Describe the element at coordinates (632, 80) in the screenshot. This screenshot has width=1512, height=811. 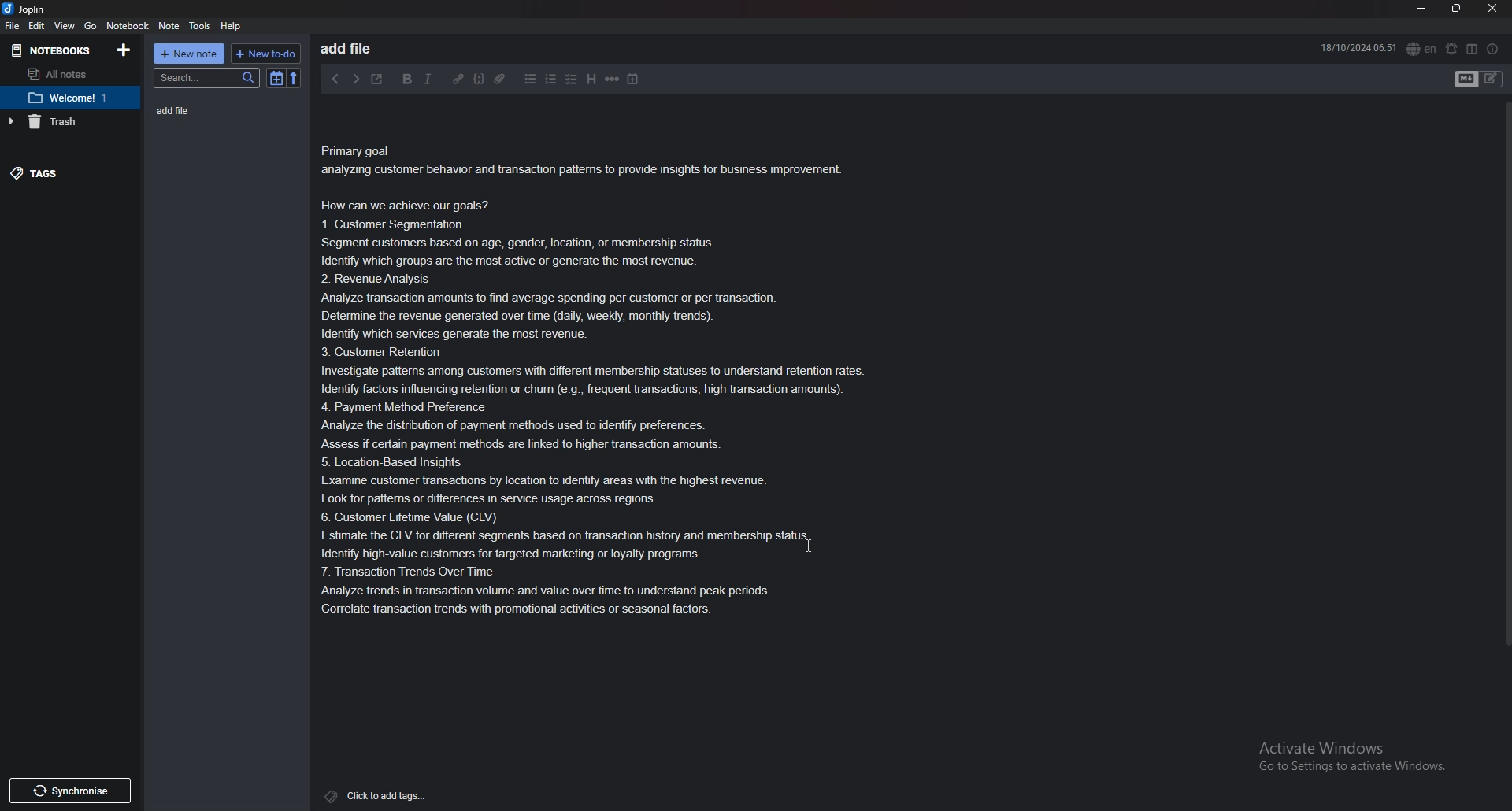
I see `Insert time` at that location.